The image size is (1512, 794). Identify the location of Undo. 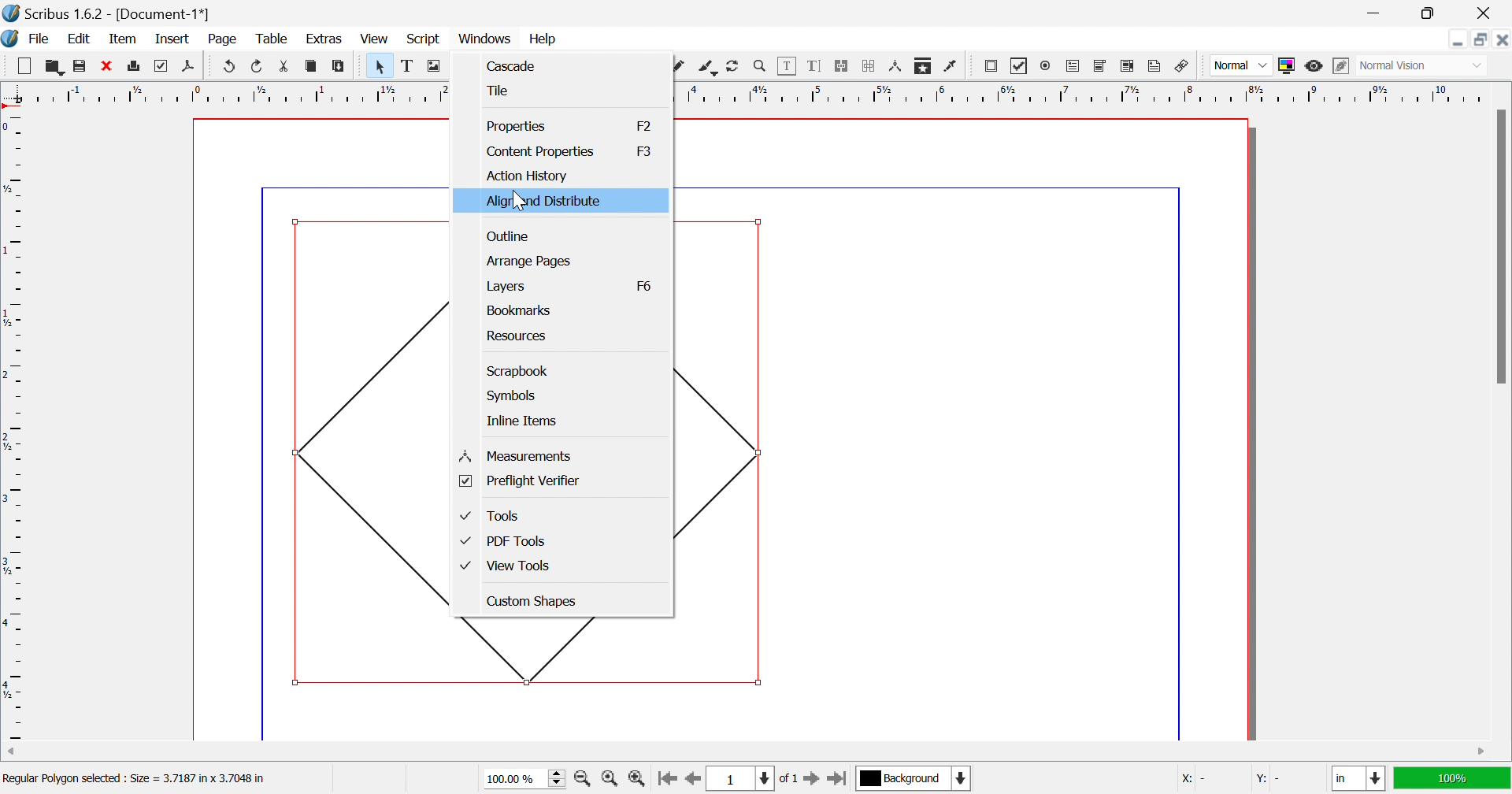
(230, 66).